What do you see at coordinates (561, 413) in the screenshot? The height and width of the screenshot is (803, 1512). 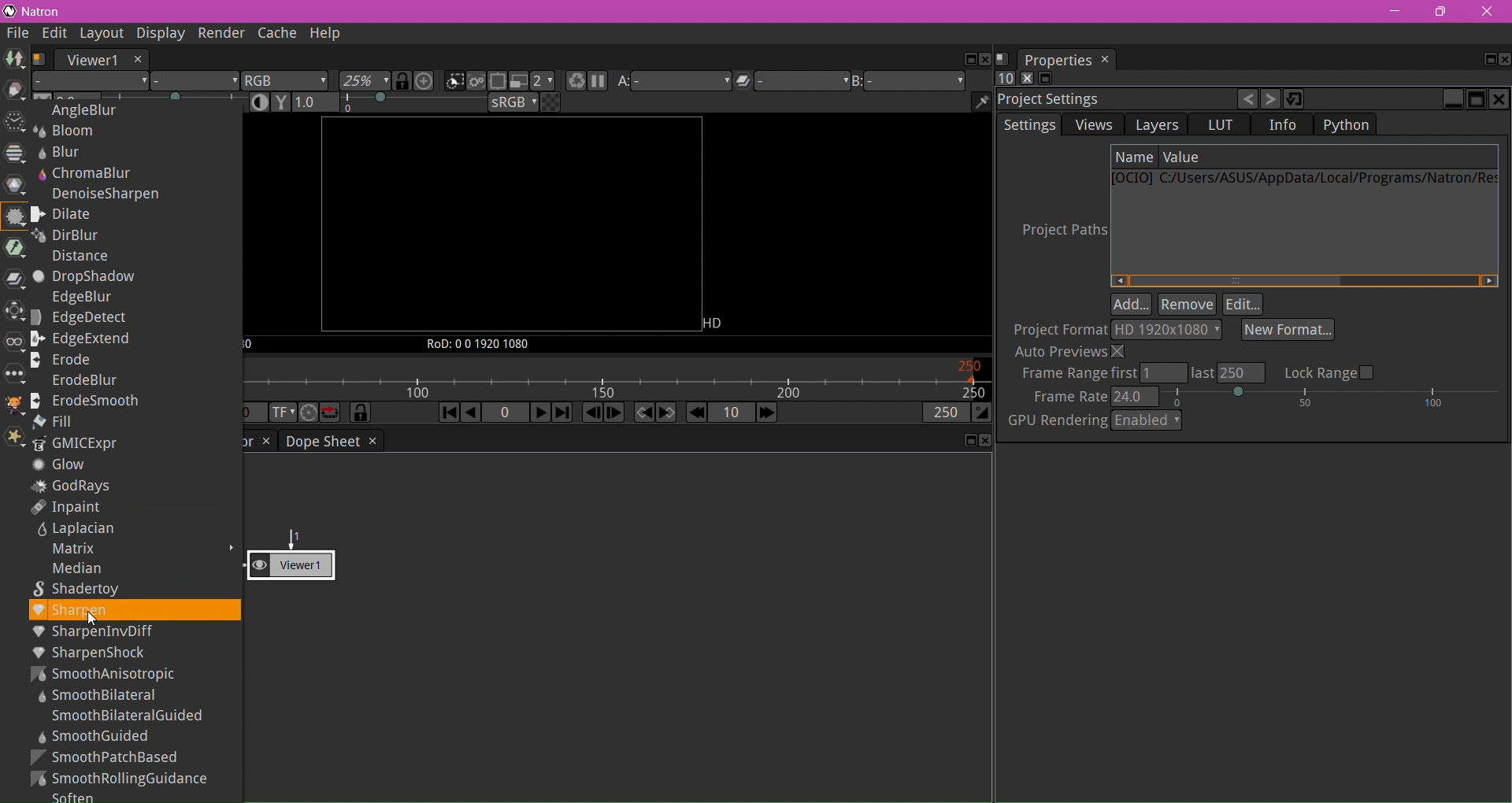 I see `Last farme` at bounding box center [561, 413].